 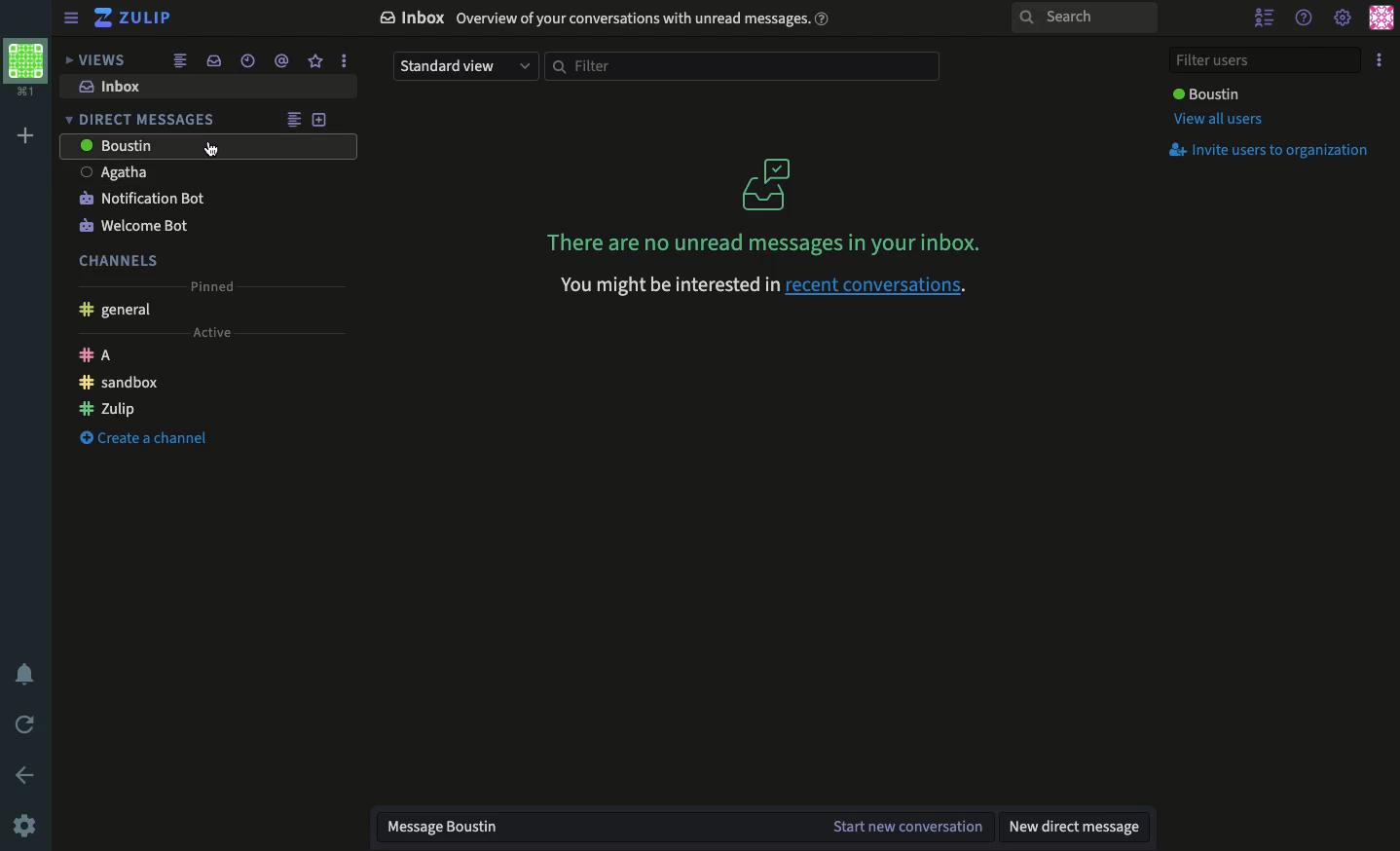 What do you see at coordinates (1268, 61) in the screenshot?
I see `Filter users` at bounding box center [1268, 61].